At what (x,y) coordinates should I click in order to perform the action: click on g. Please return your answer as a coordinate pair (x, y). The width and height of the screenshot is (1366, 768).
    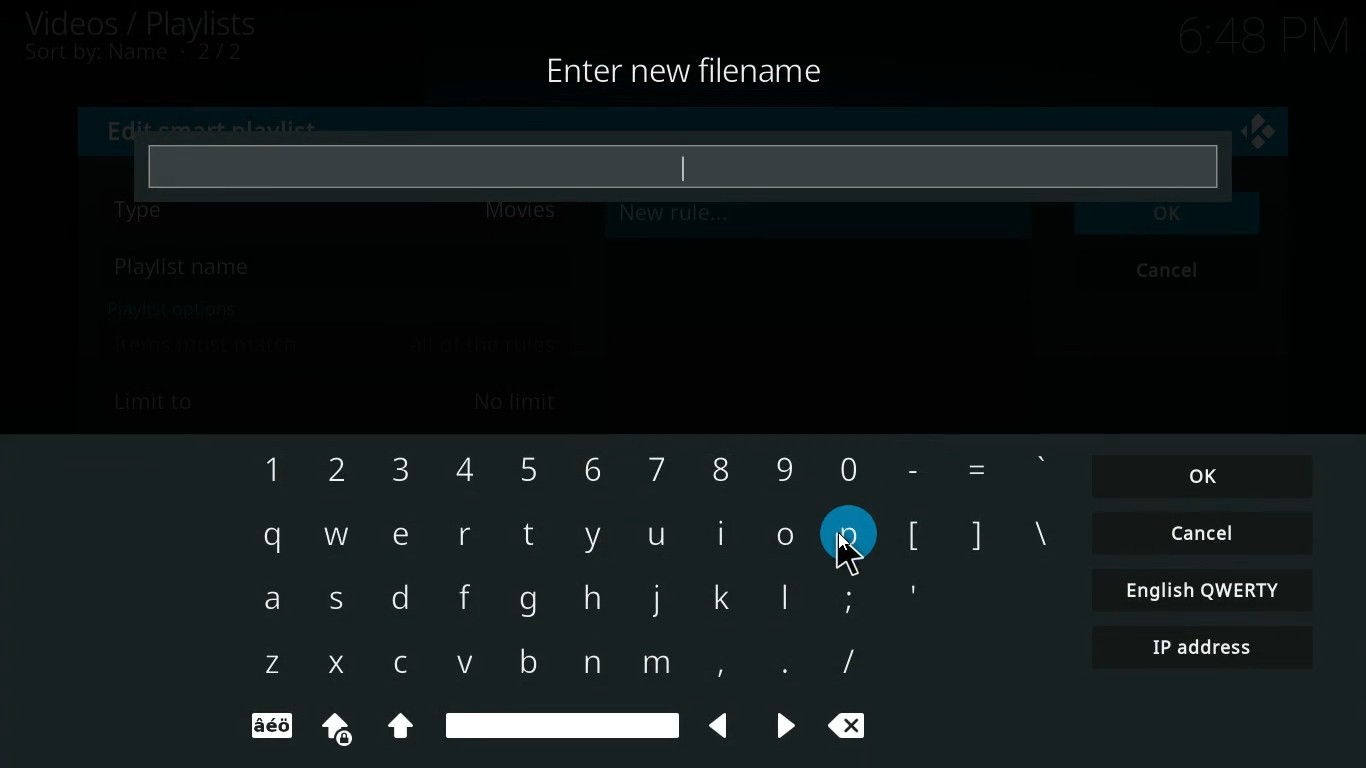
    Looking at the image, I should click on (527, 603).